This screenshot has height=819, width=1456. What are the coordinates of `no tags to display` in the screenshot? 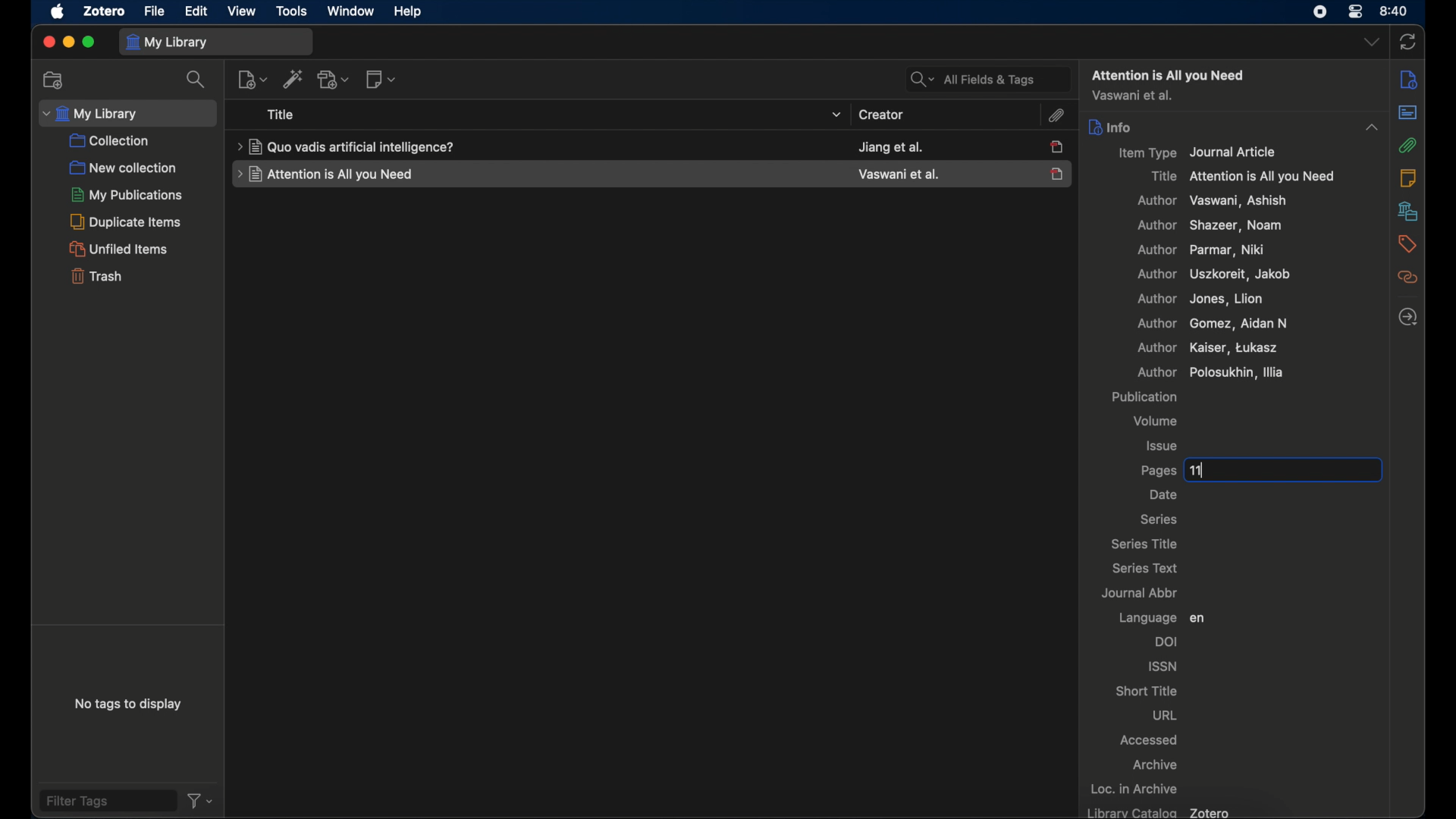 It's located at (130, 704).